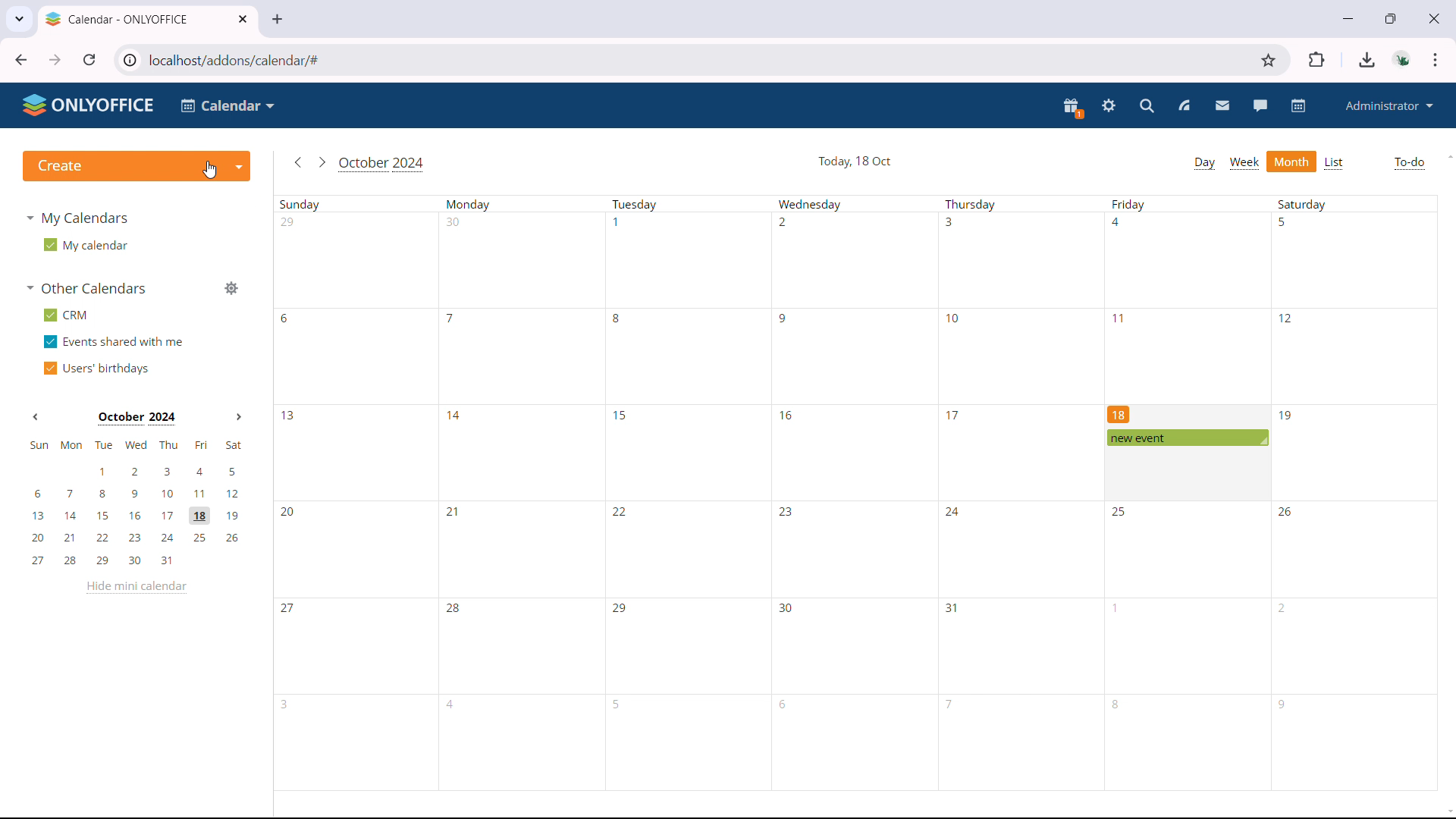 This screenshot has width=1456, height=819. I want to click on week, so click(1244, 164).